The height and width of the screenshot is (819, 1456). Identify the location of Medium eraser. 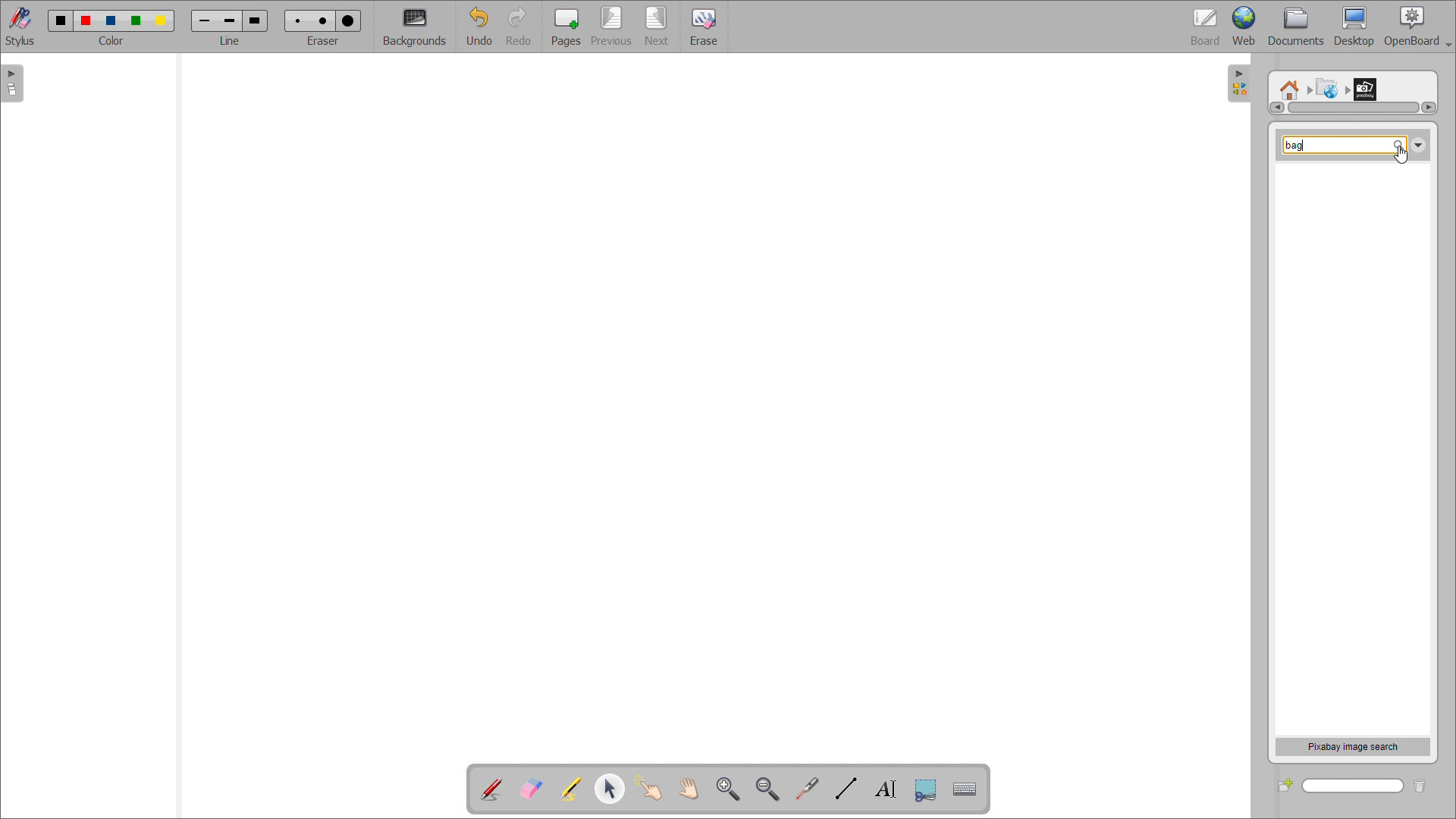
(322, 19).